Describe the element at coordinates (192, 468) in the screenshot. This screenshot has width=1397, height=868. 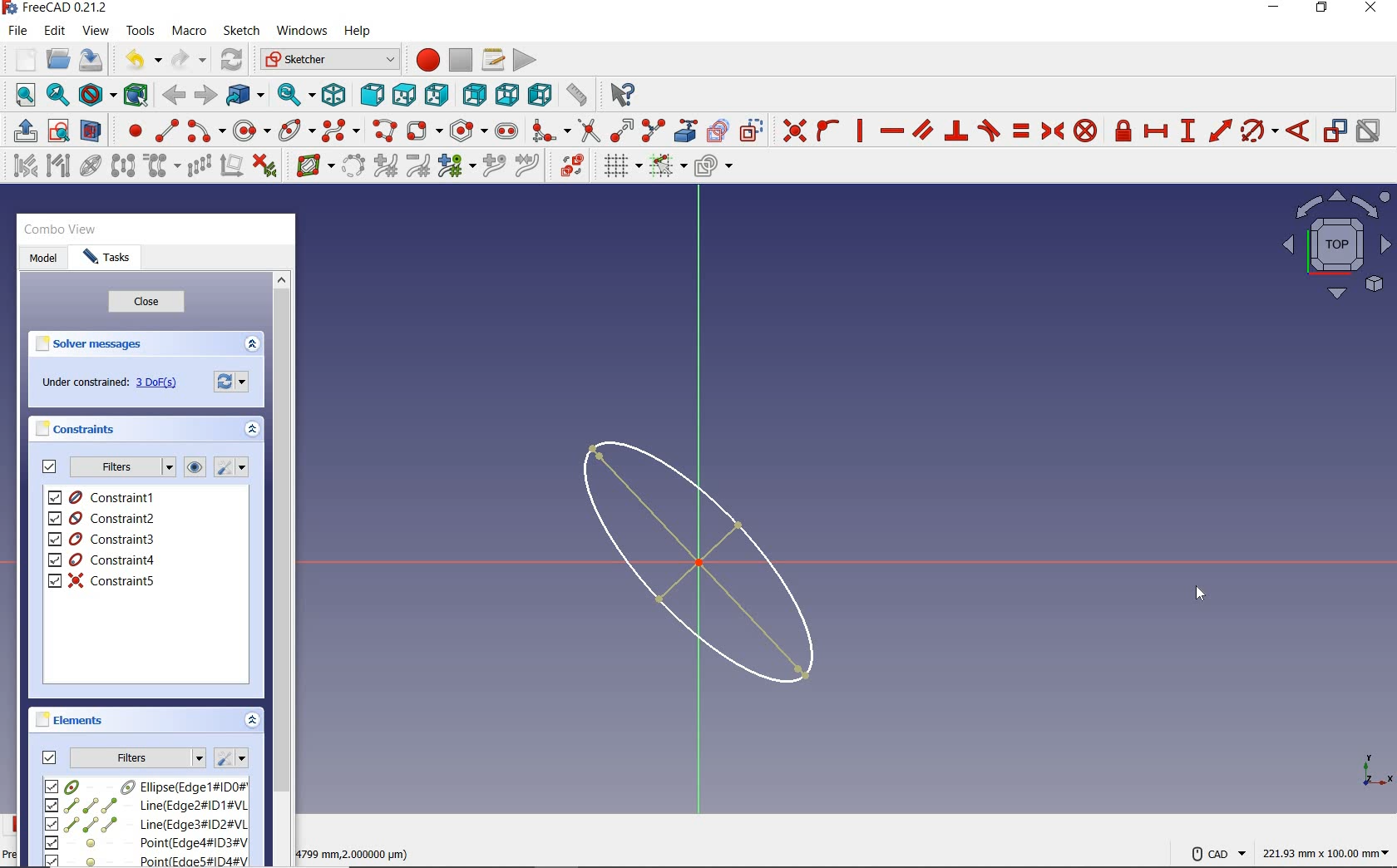
I see `show/hide all listed constraints` at that location.